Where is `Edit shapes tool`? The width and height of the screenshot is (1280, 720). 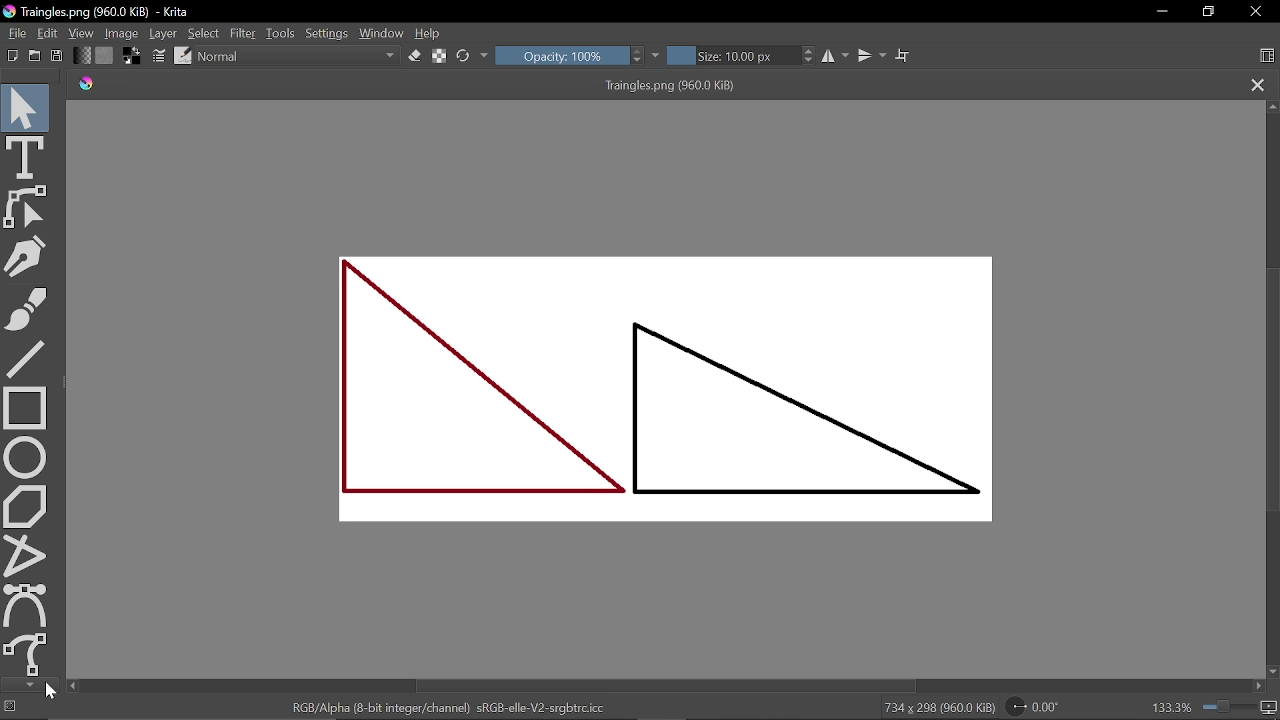 Edit shapes tool is located at coordinates (27, 208).